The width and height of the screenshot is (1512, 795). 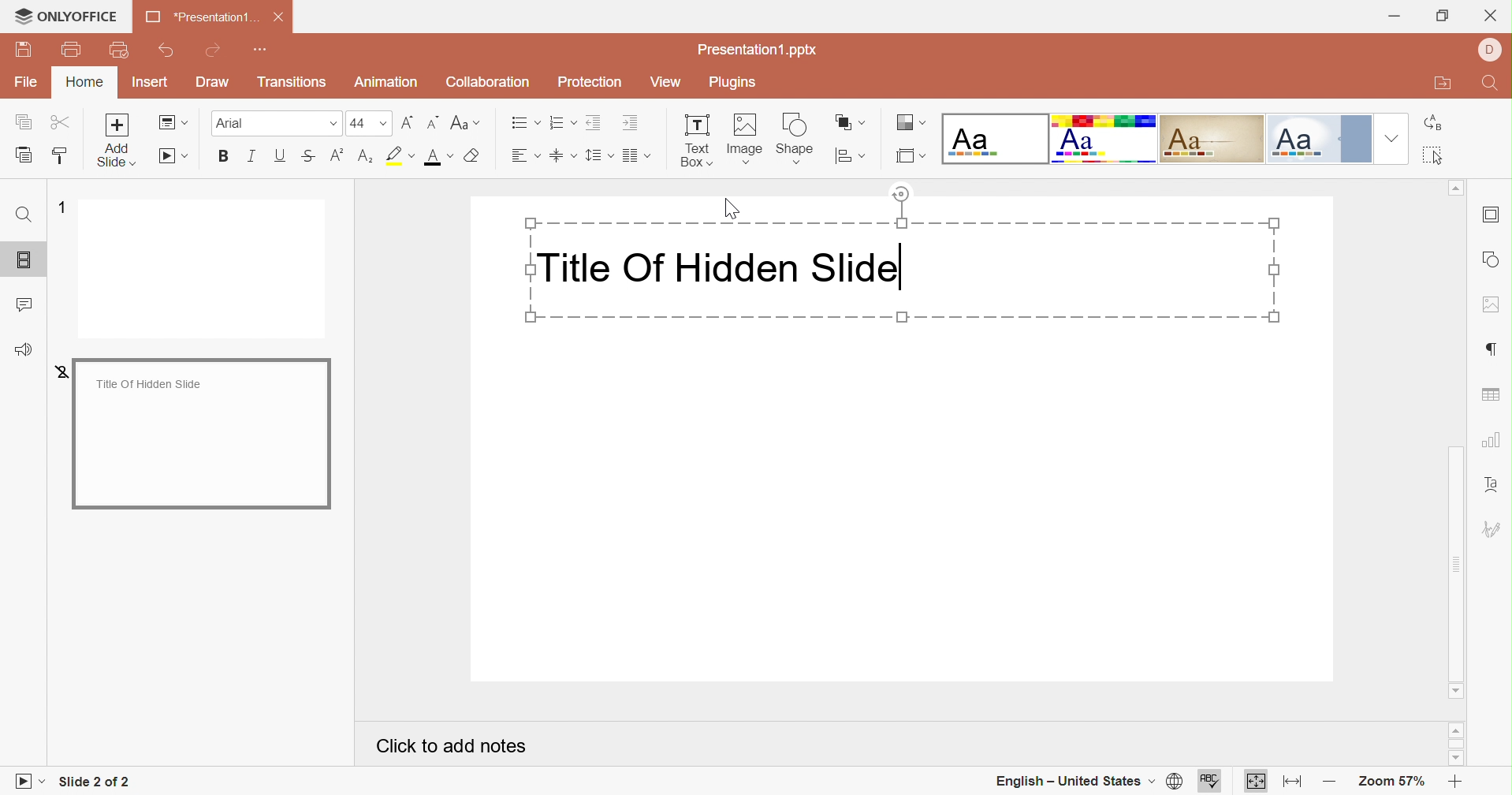 I want to click on Italic, so click(x=255, y=156).